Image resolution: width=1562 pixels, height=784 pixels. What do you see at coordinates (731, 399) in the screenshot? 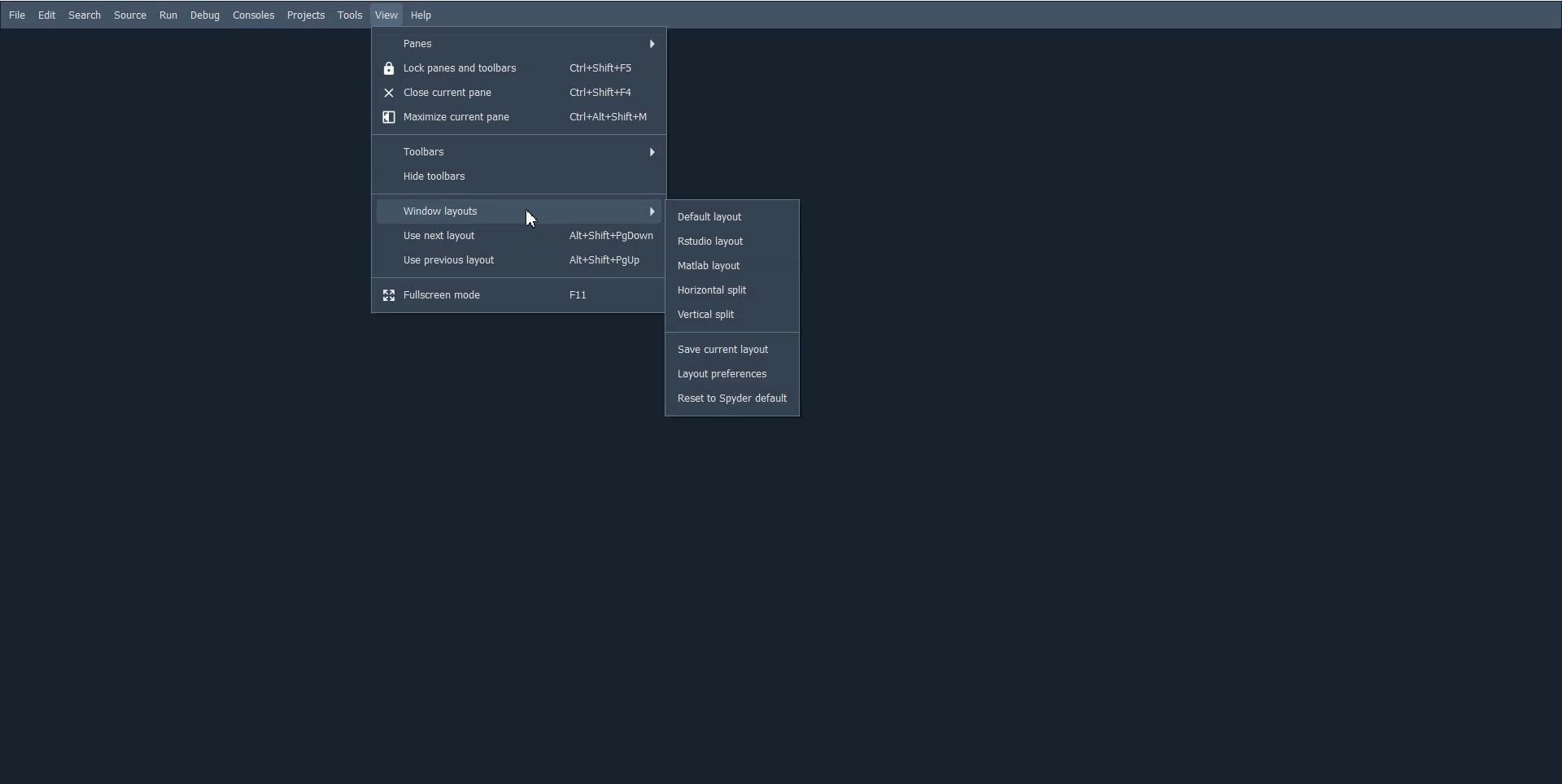
I see `Reset to spyder default` at bounding box center [731, 399].